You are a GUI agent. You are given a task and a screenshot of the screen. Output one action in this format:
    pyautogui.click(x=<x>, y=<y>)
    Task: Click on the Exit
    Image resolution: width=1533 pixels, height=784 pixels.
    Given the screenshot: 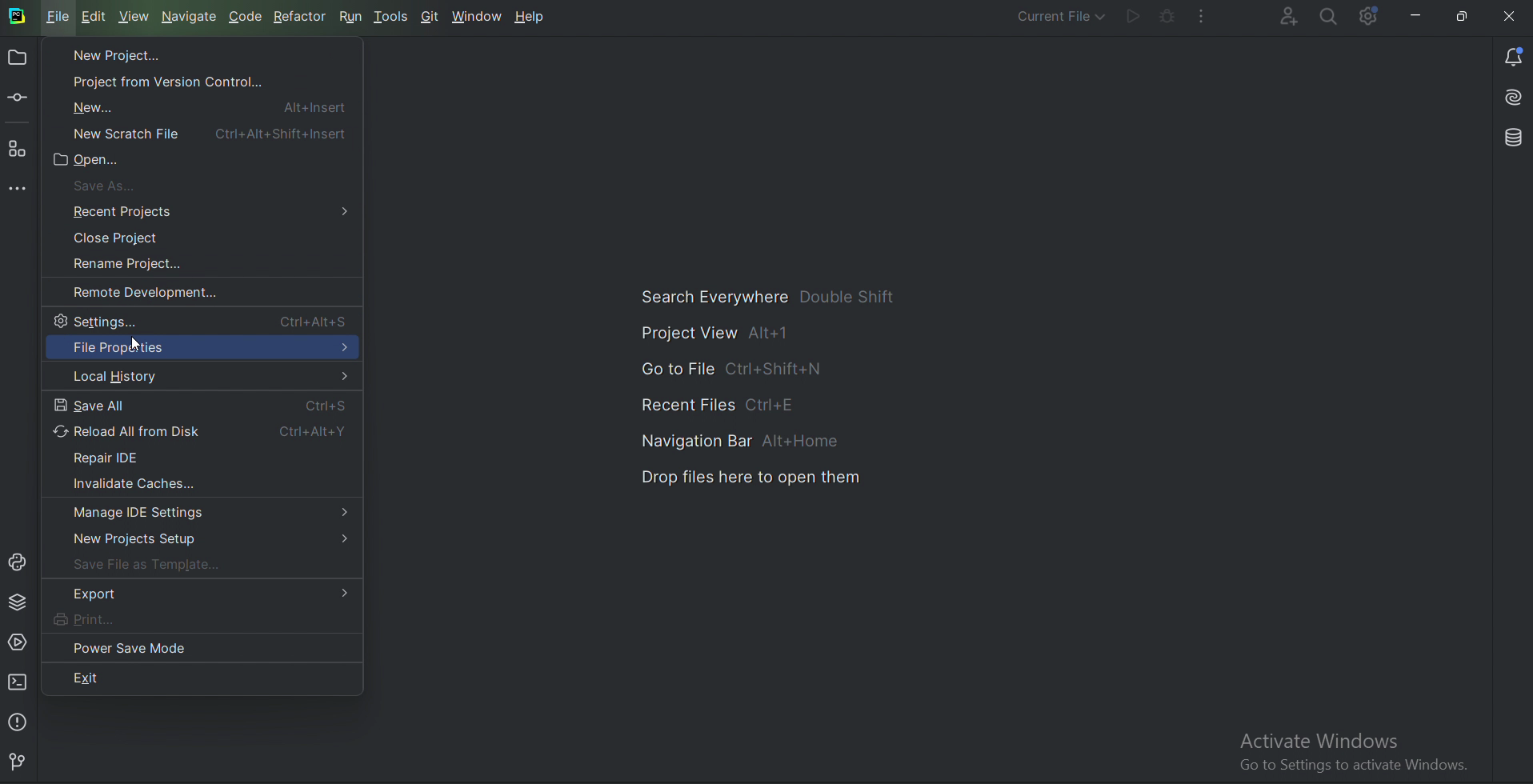 What is the action you would take?
    pyautogui.click(x=128, y=677)
    